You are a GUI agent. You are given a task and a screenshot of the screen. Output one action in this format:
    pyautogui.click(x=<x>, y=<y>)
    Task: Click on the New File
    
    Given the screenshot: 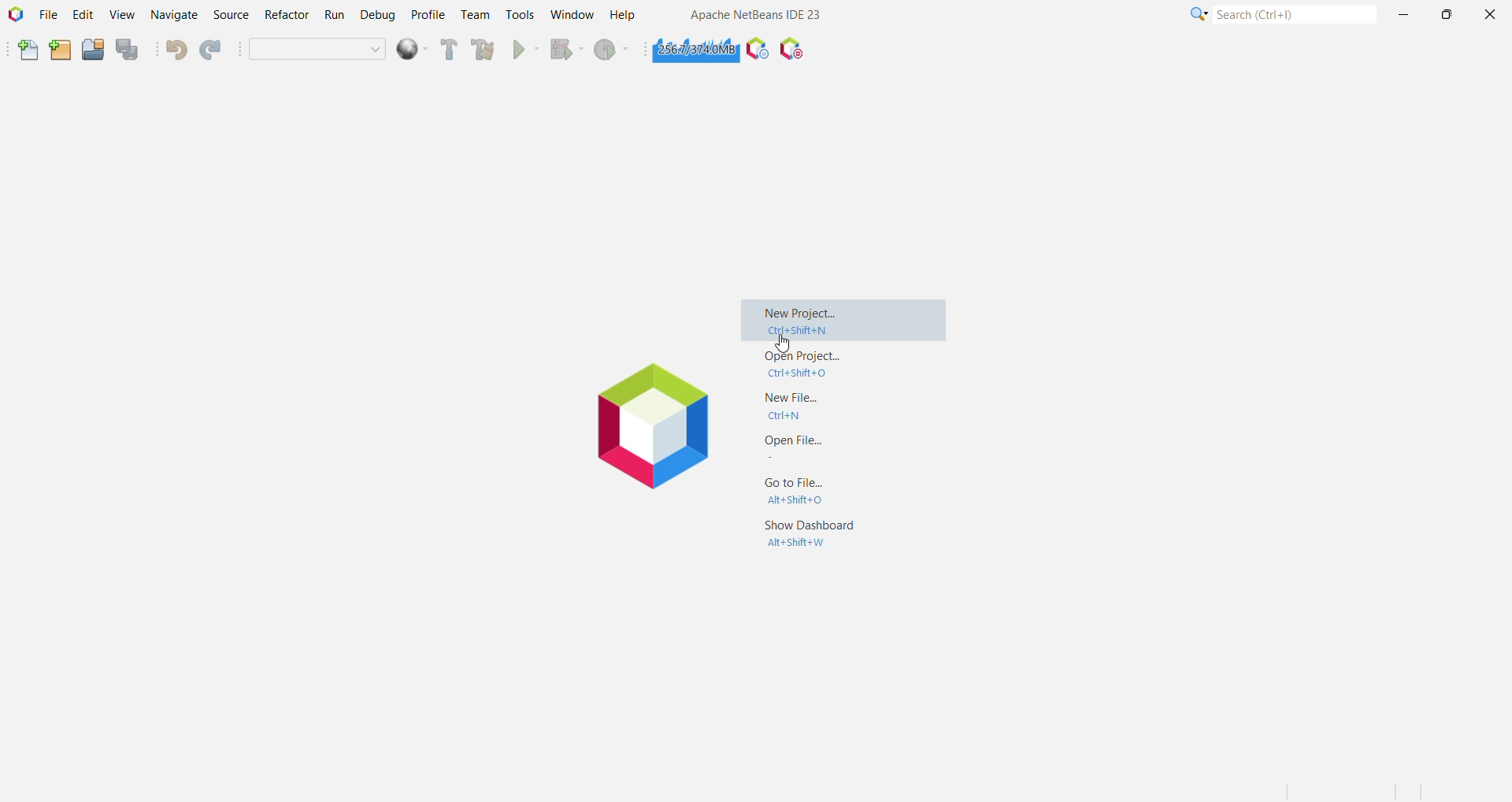 What is the action you would take?
    pyautogui.click(x=847, y=407)
    